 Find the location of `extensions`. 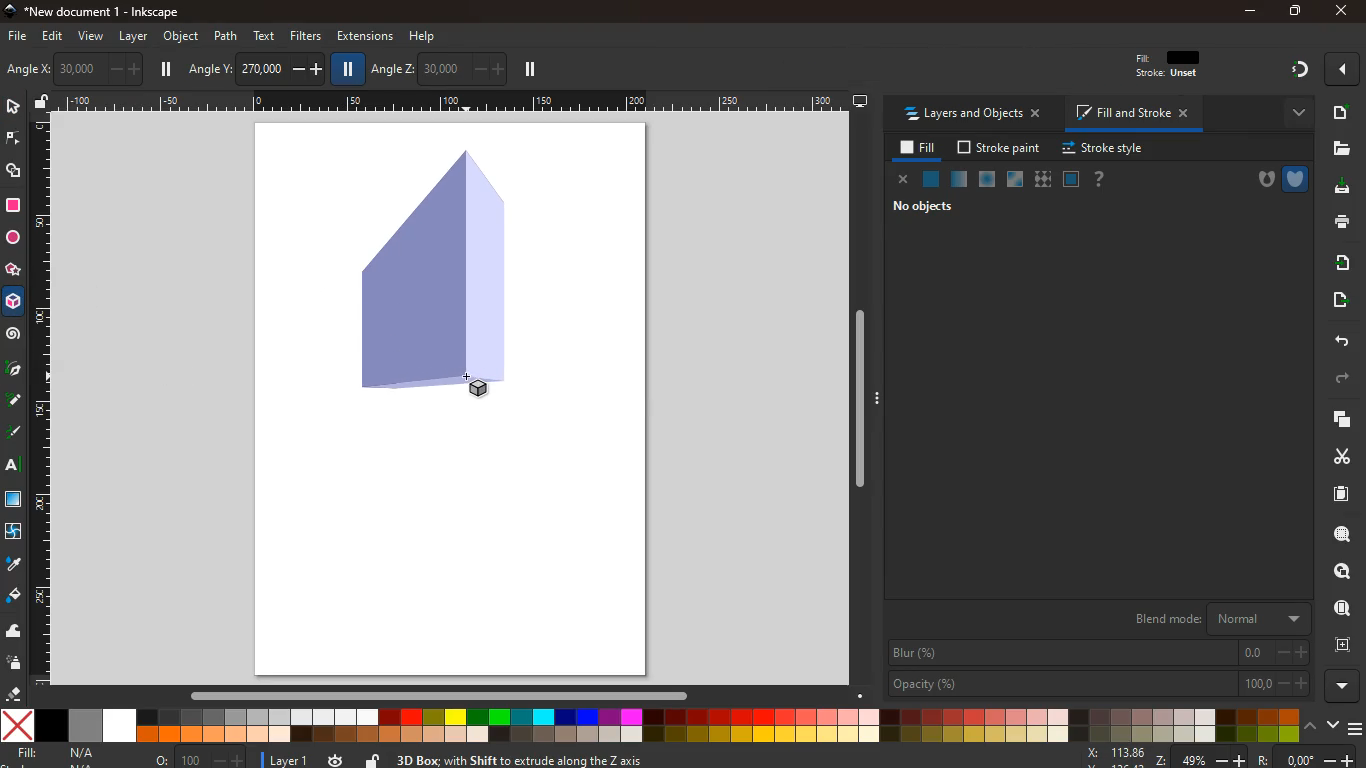

extensions is located at coordinates (364, 36).